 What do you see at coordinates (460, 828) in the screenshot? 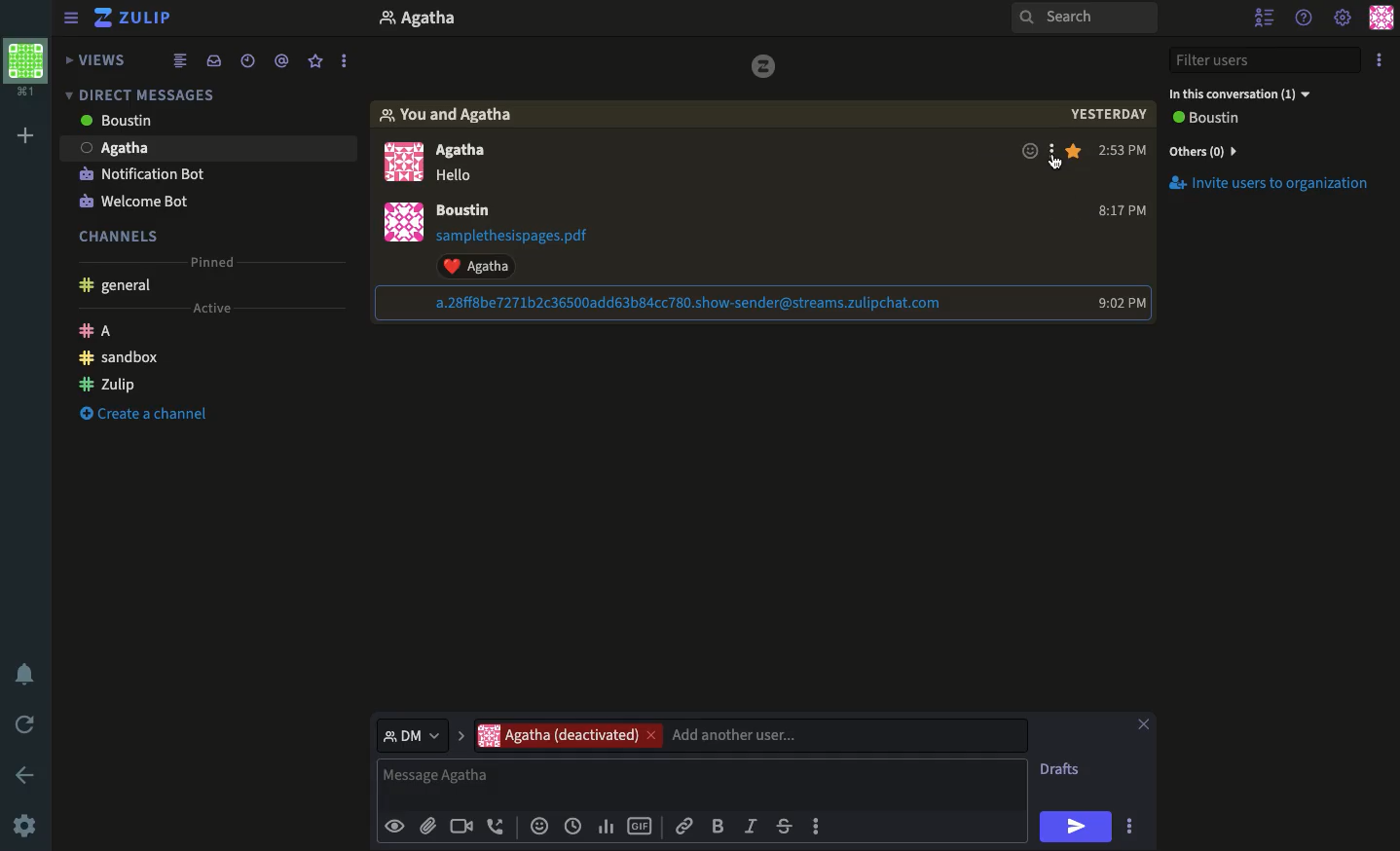
I see `Video` at bounding box center [460, 828].